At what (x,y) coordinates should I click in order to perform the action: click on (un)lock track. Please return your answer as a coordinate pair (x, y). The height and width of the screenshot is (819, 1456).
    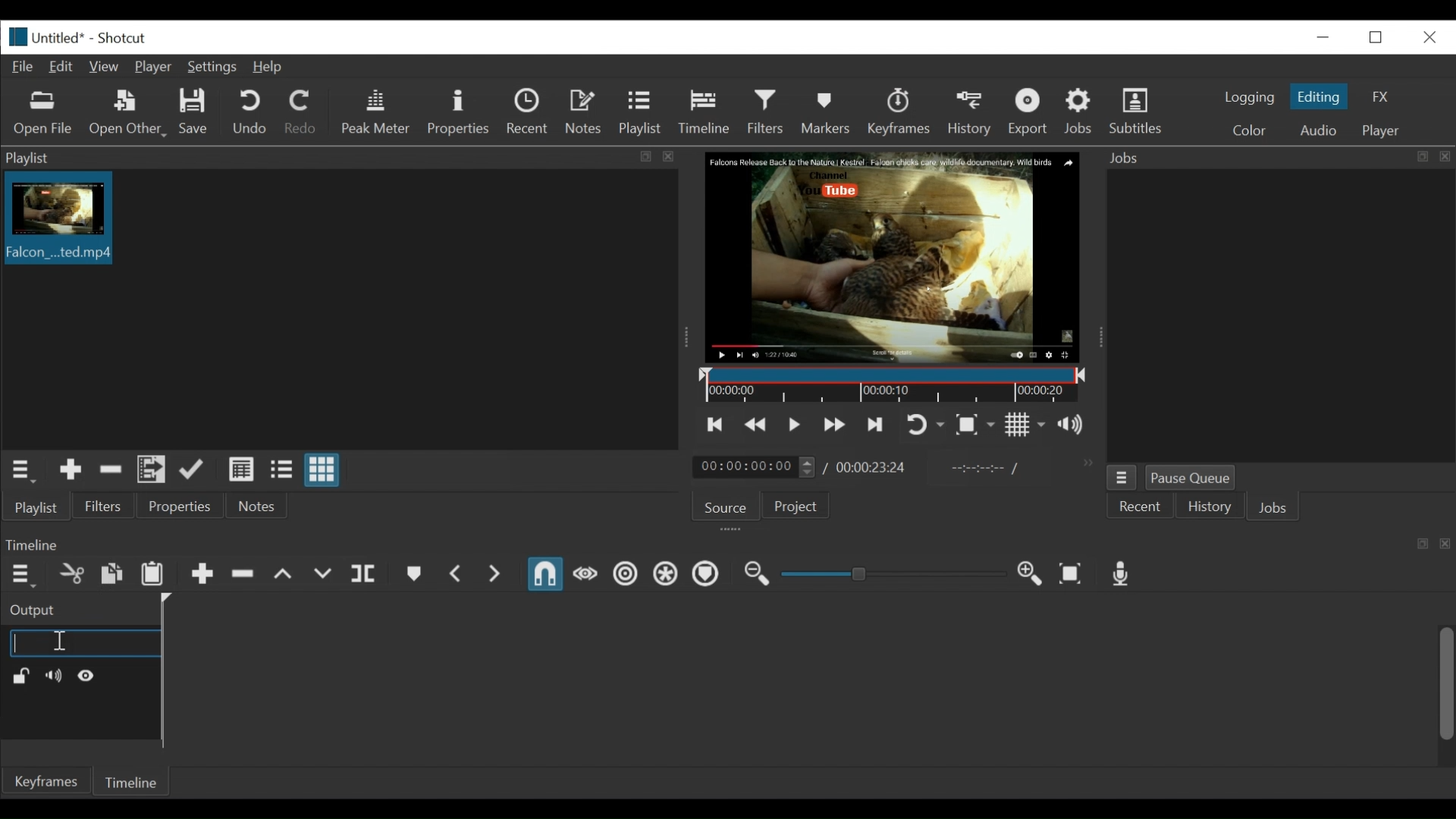
    Looking at the image, I should click on (20, 676).